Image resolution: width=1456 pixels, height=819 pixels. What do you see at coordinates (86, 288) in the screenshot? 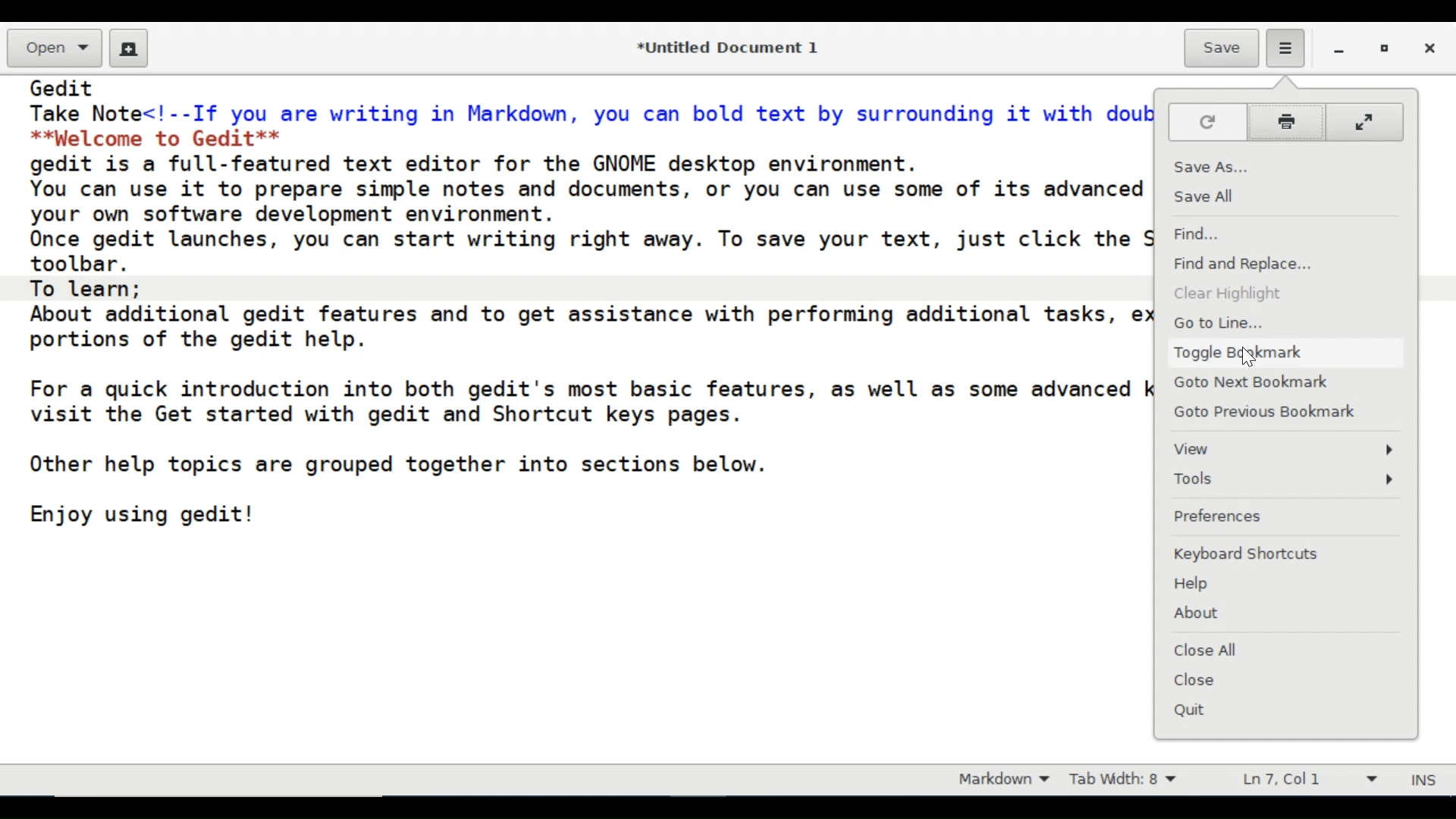
I see `To learn;` at bounding box center [86, 288].